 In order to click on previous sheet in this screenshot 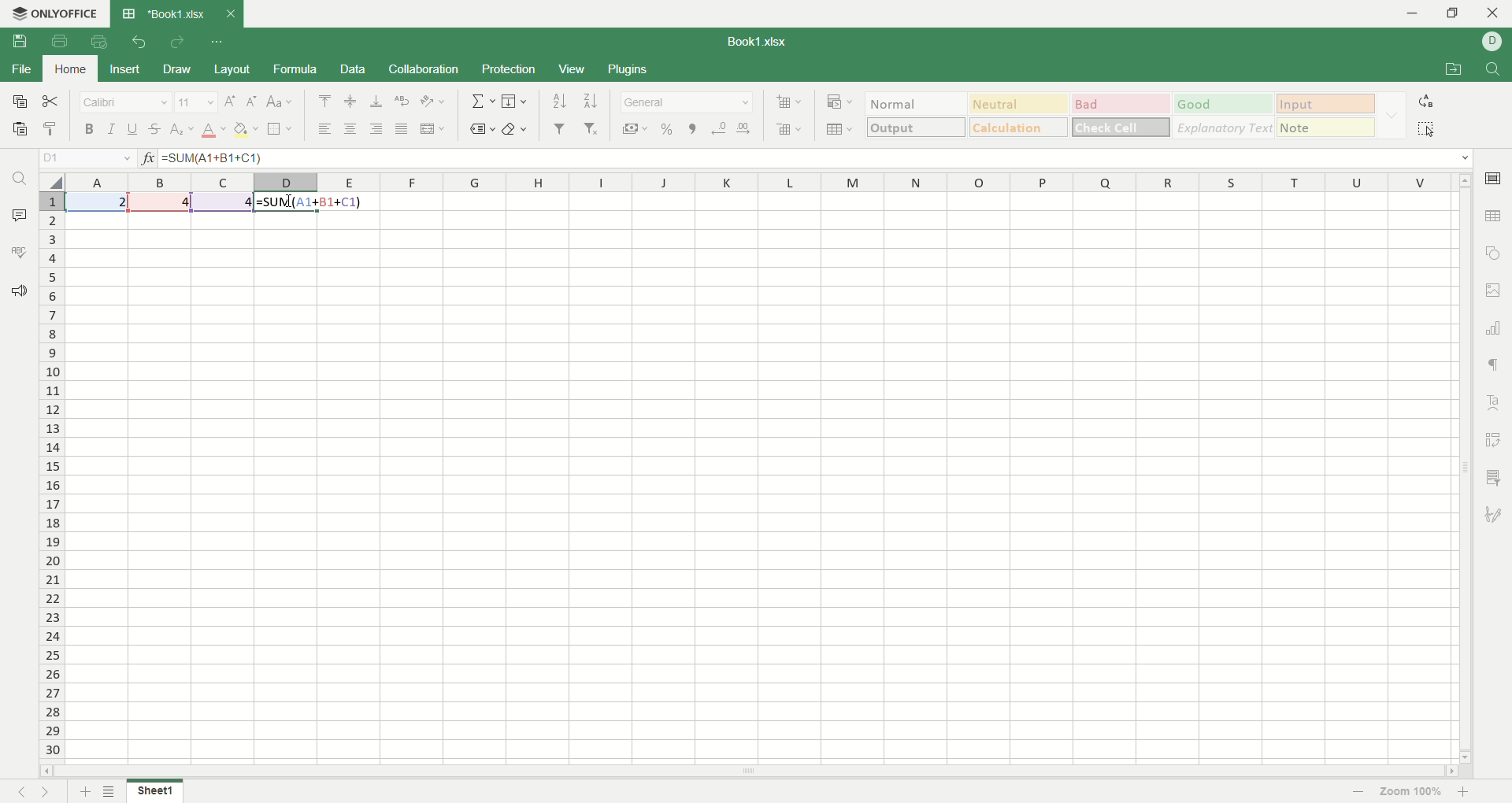, I will do `click(17, 794)`.